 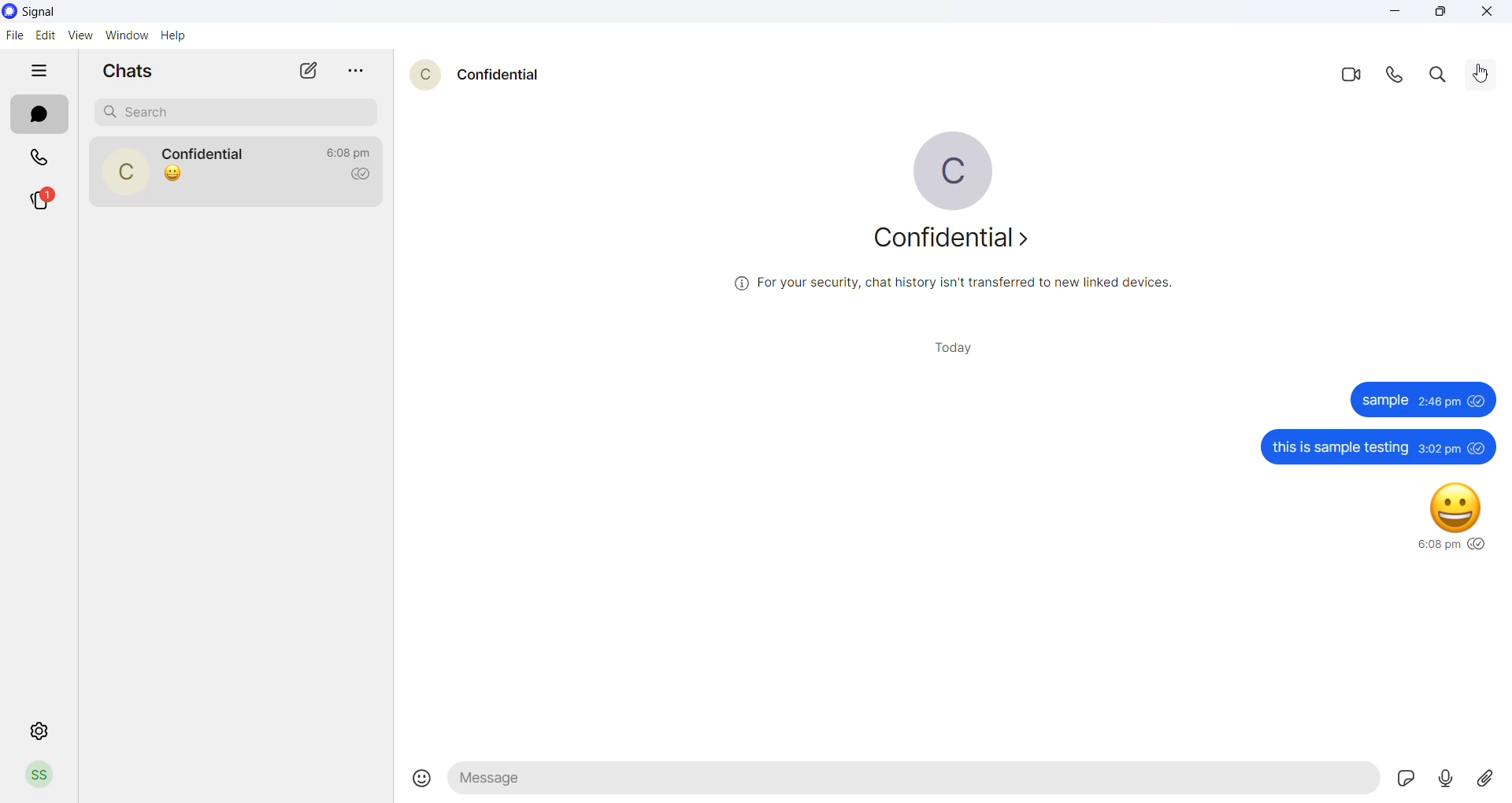 What do you see at coordinates (46, 158) in the screenshot?
I see `calls` at bounding box center [46, 158].